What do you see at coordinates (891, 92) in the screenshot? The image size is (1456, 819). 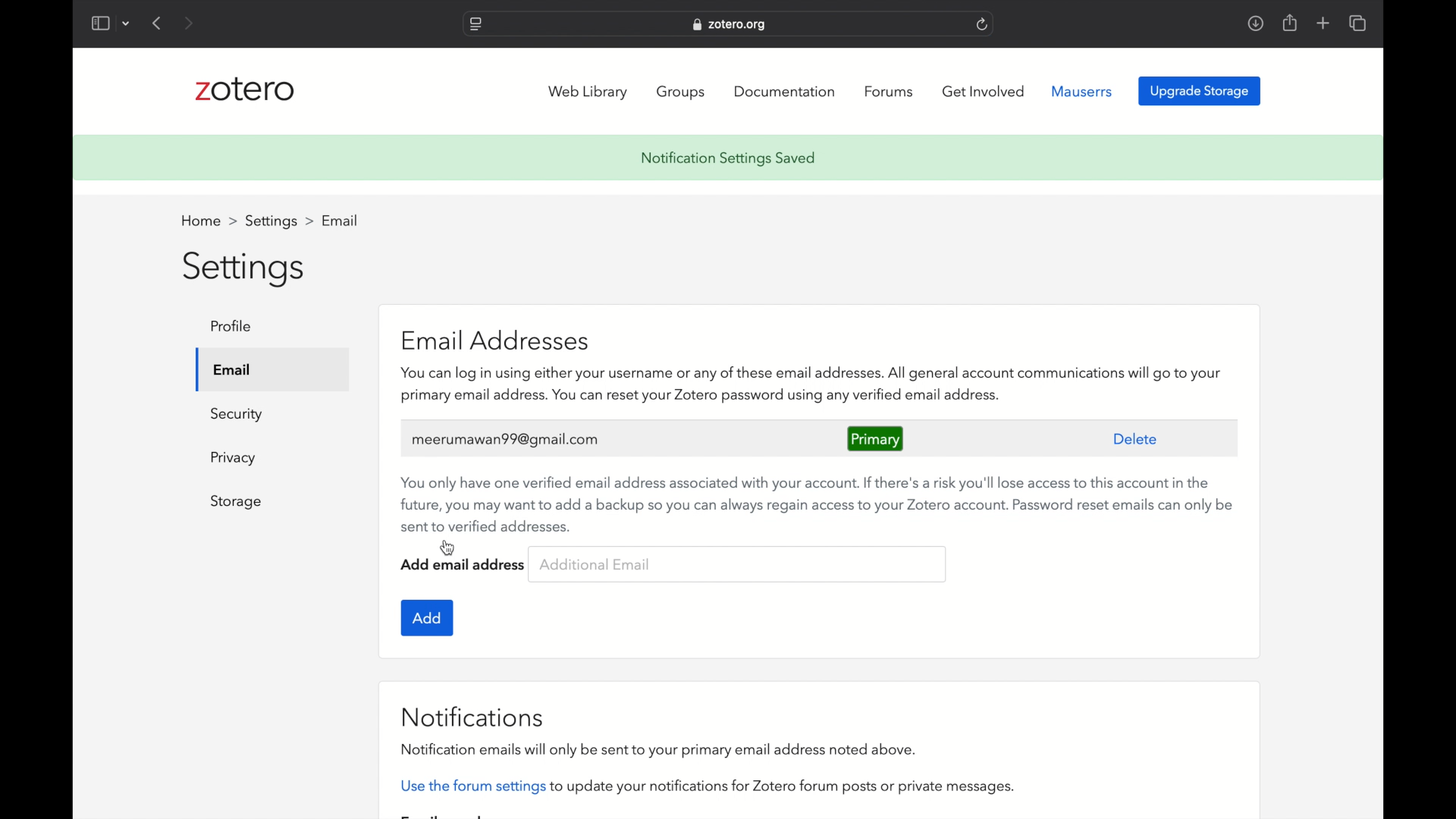 I see `forums` at bounding box center [891, 92].